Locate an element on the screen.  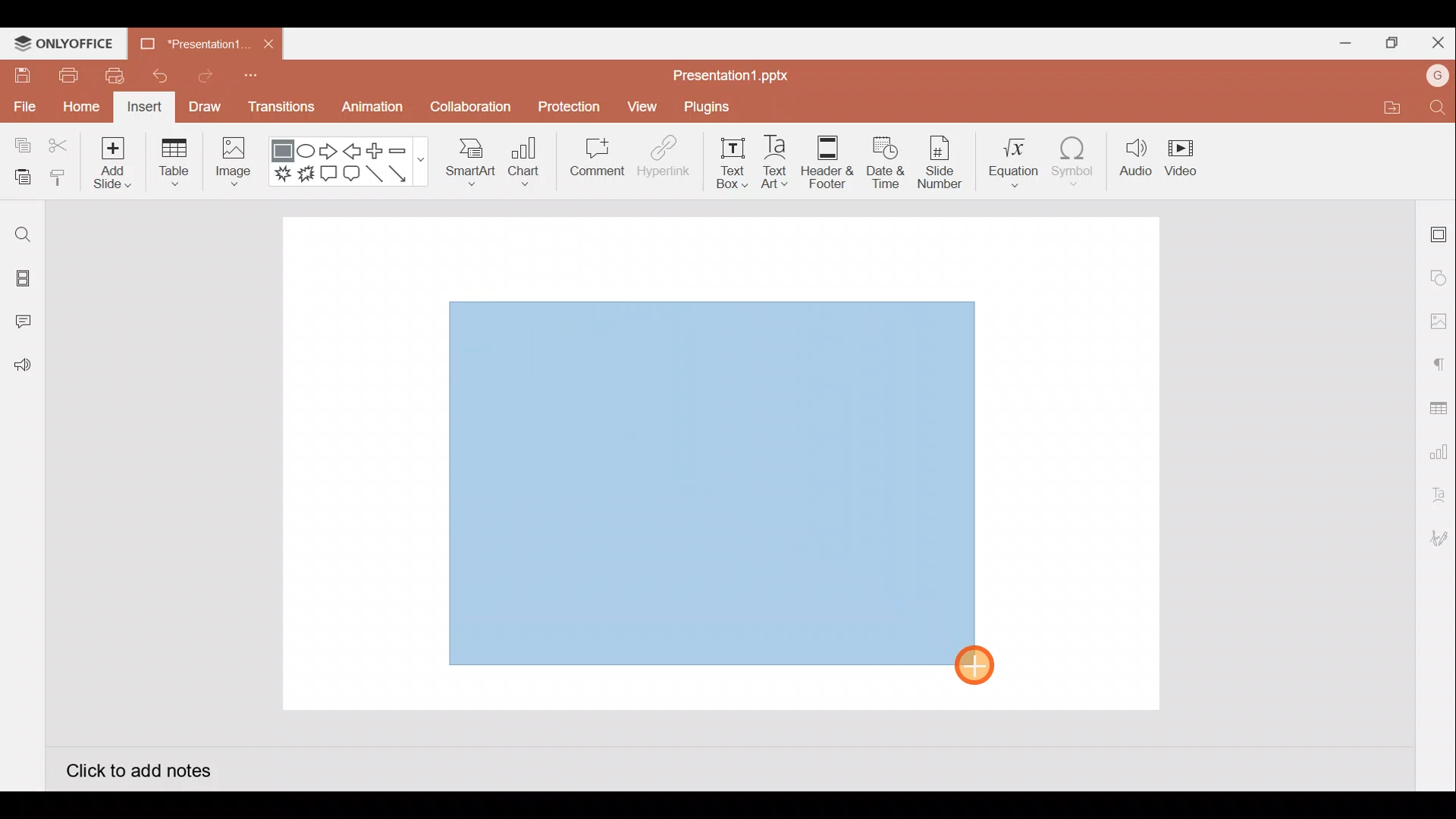
Minimize is located at coordinates (1339, 40).